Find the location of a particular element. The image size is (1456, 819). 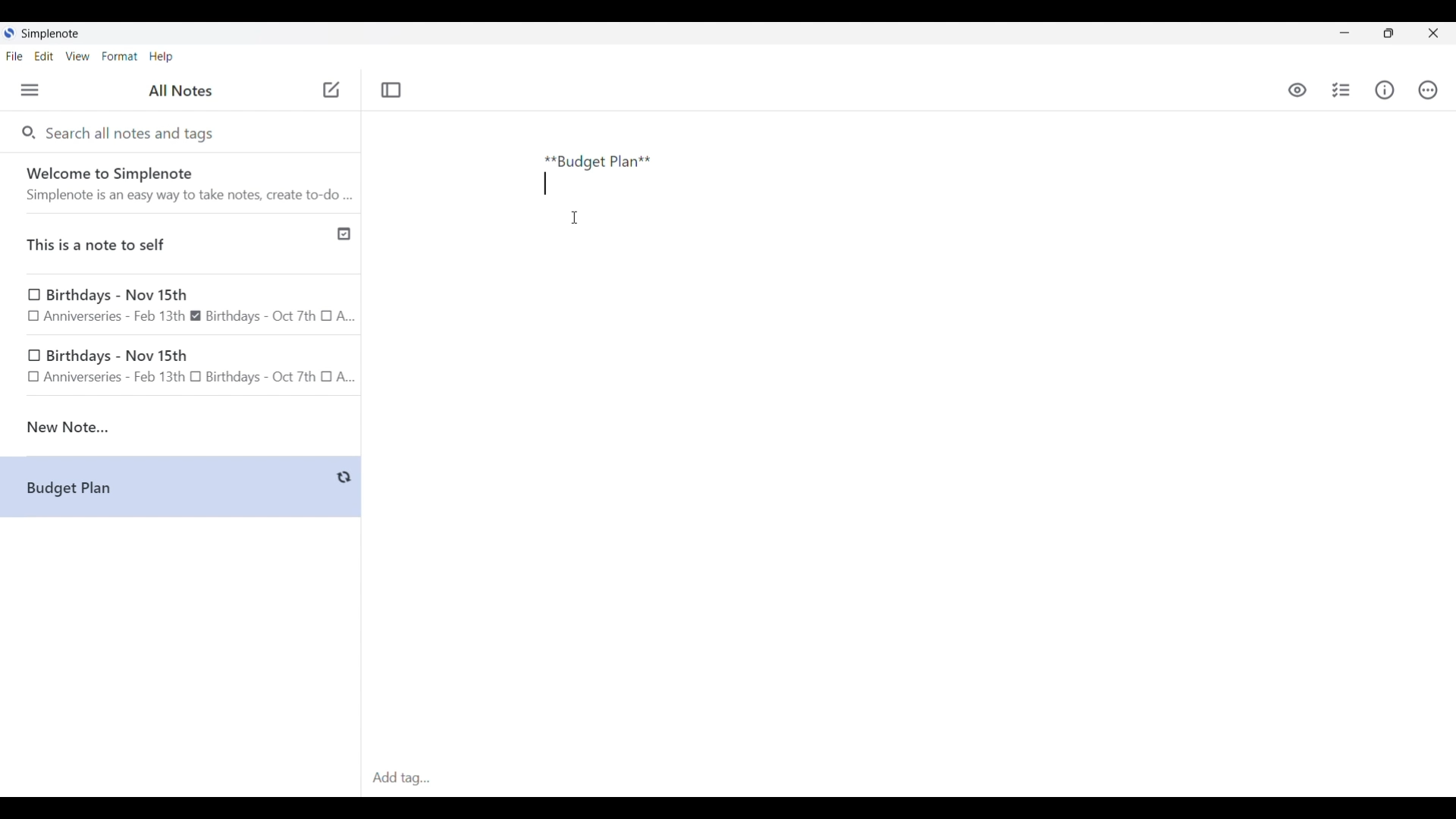

Edit menu is located at coordinates (45, 55).